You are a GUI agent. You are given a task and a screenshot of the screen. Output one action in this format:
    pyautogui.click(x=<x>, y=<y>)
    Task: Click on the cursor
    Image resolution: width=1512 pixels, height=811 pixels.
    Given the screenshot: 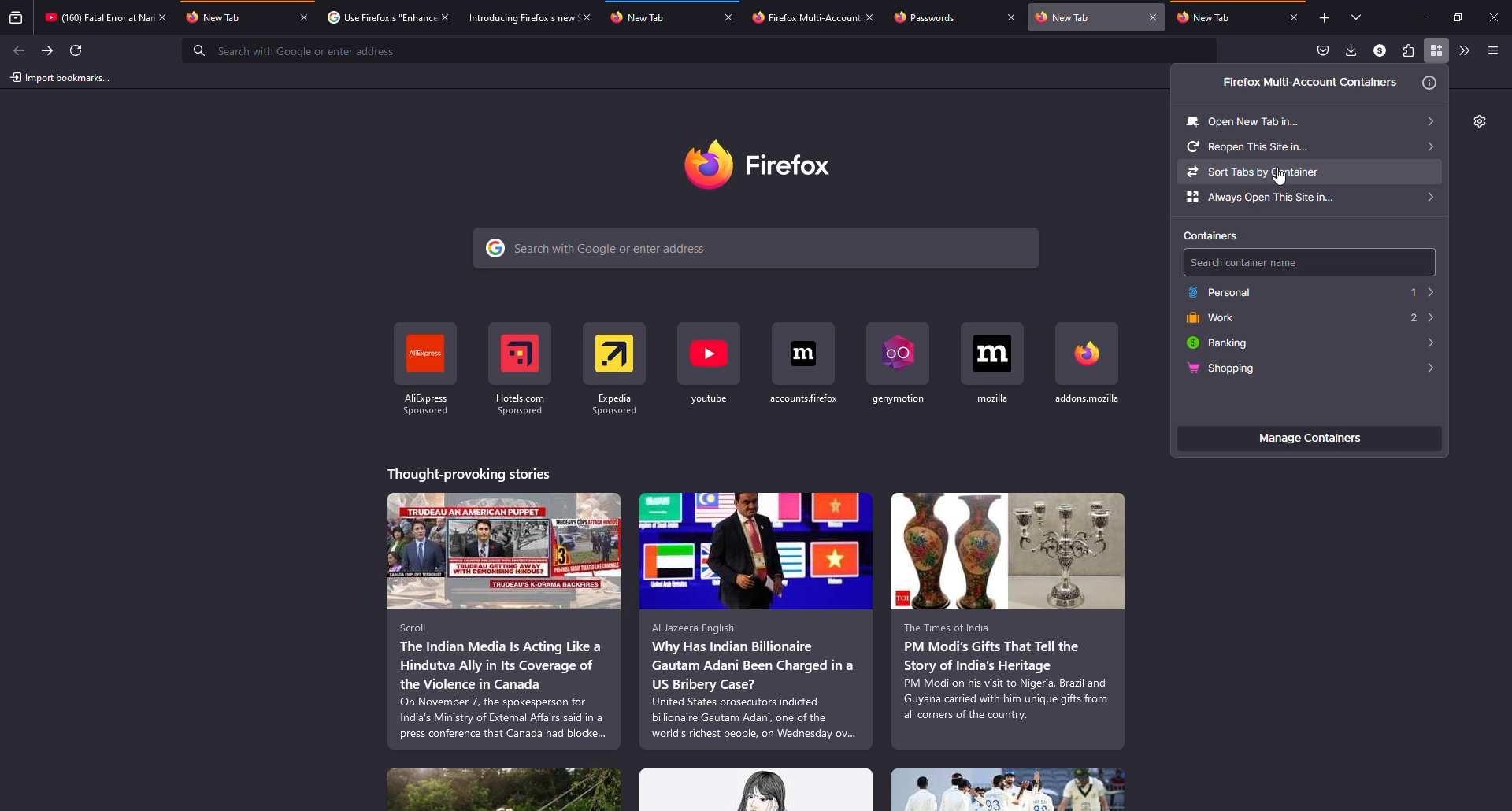 What is the action you would take?
    pyautogui.click(x=1436, y=61)
    